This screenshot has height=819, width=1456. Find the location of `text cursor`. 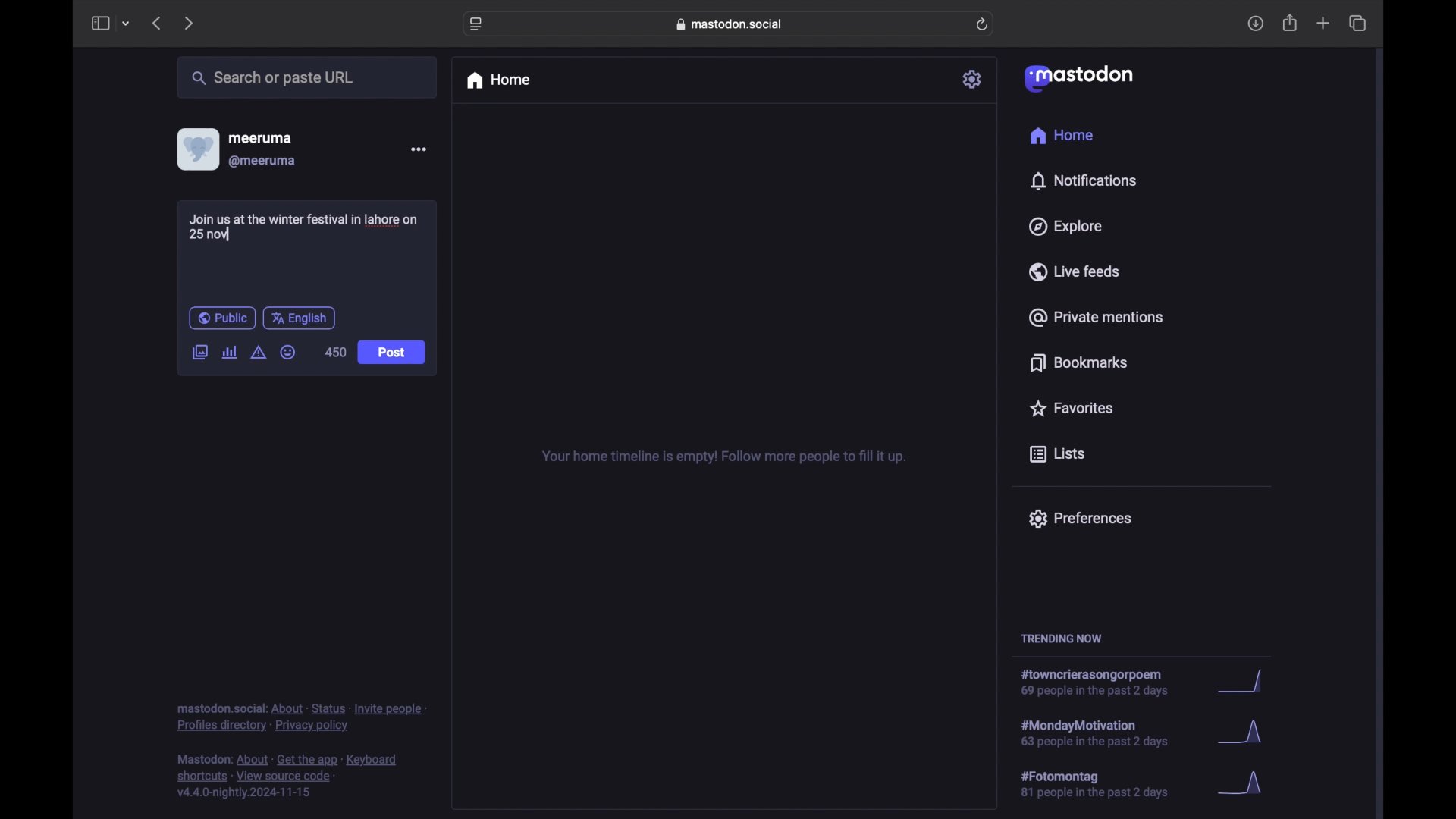

text cursor is located at coordinates (231, 235).